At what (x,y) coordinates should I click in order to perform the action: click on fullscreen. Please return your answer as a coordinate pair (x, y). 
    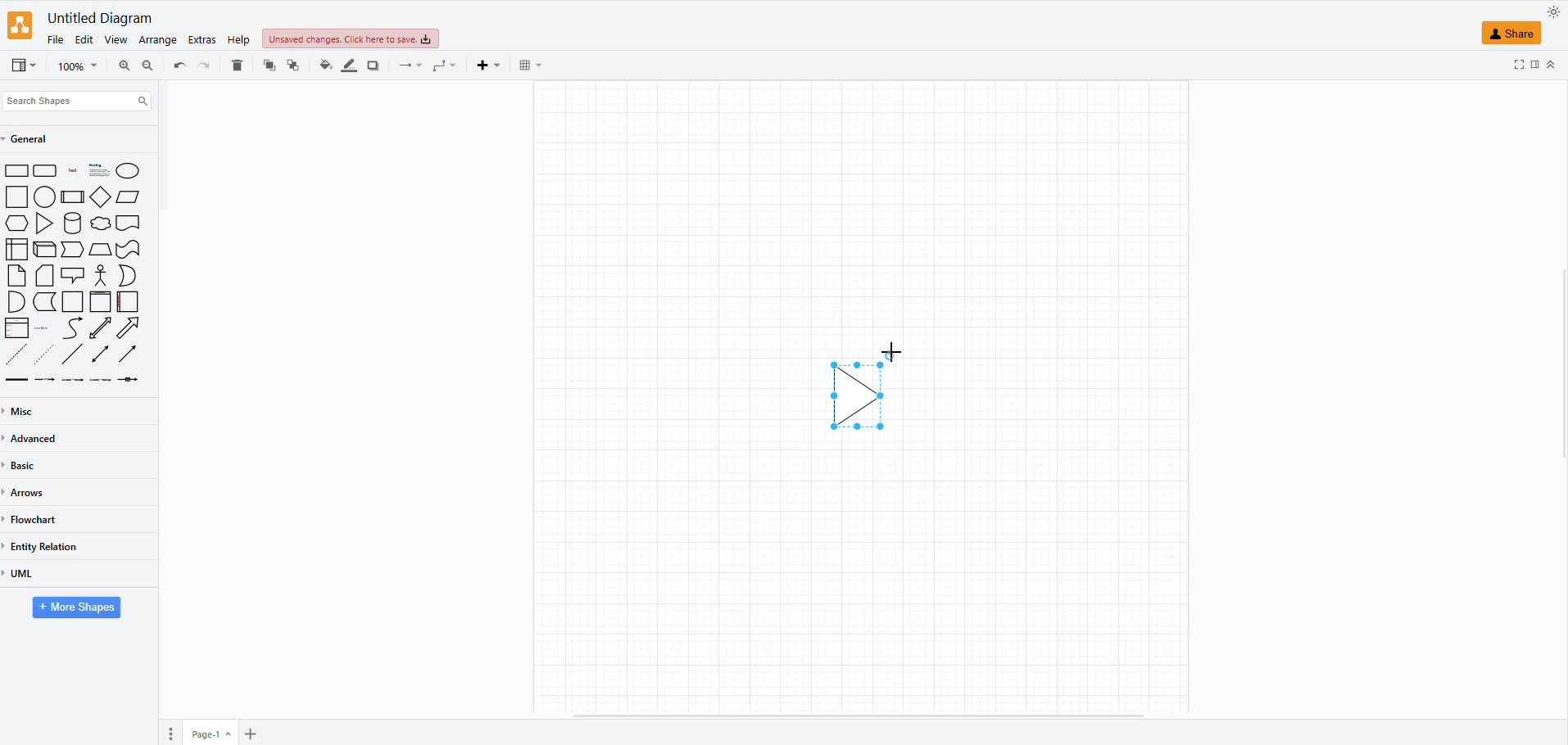
    Looking at the image, I should click on (1518, 65).